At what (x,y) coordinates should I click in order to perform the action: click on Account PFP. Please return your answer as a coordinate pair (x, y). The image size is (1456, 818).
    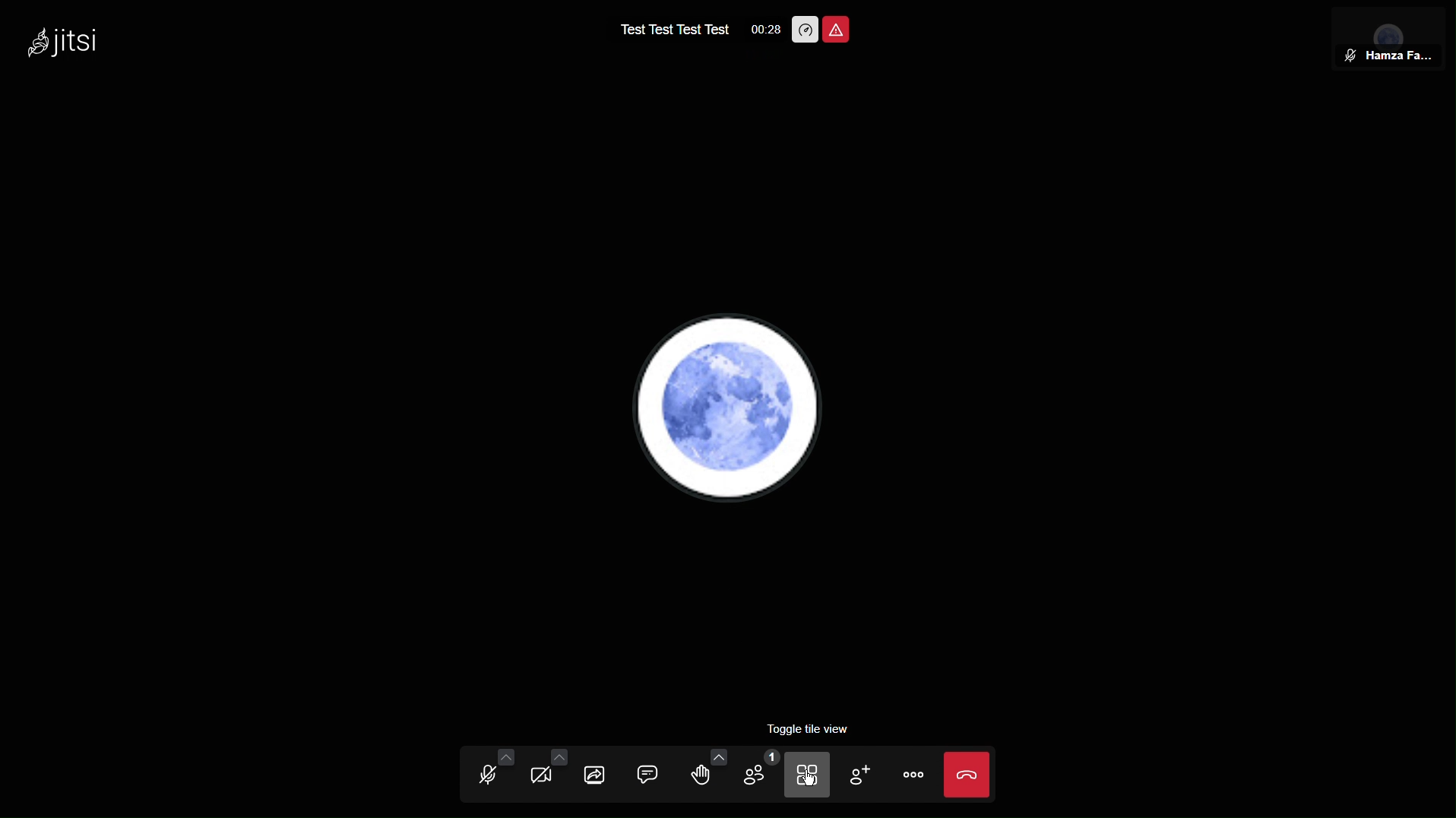
    Looking at the image, I should click on (736, 408).